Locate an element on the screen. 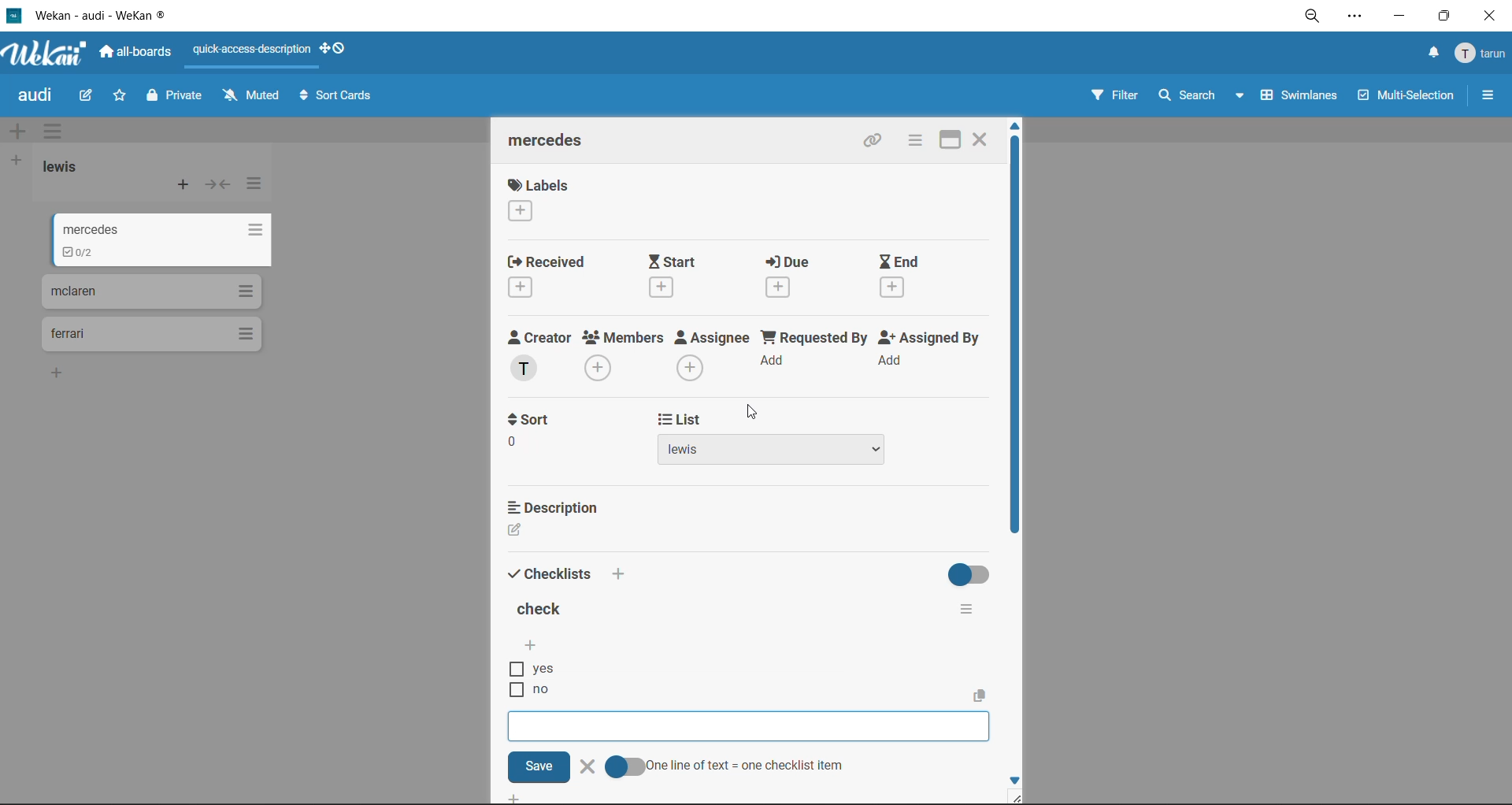 The width and height of the screenshot is (1512, 805). clear checklist option is located at coordinates (591, 766).